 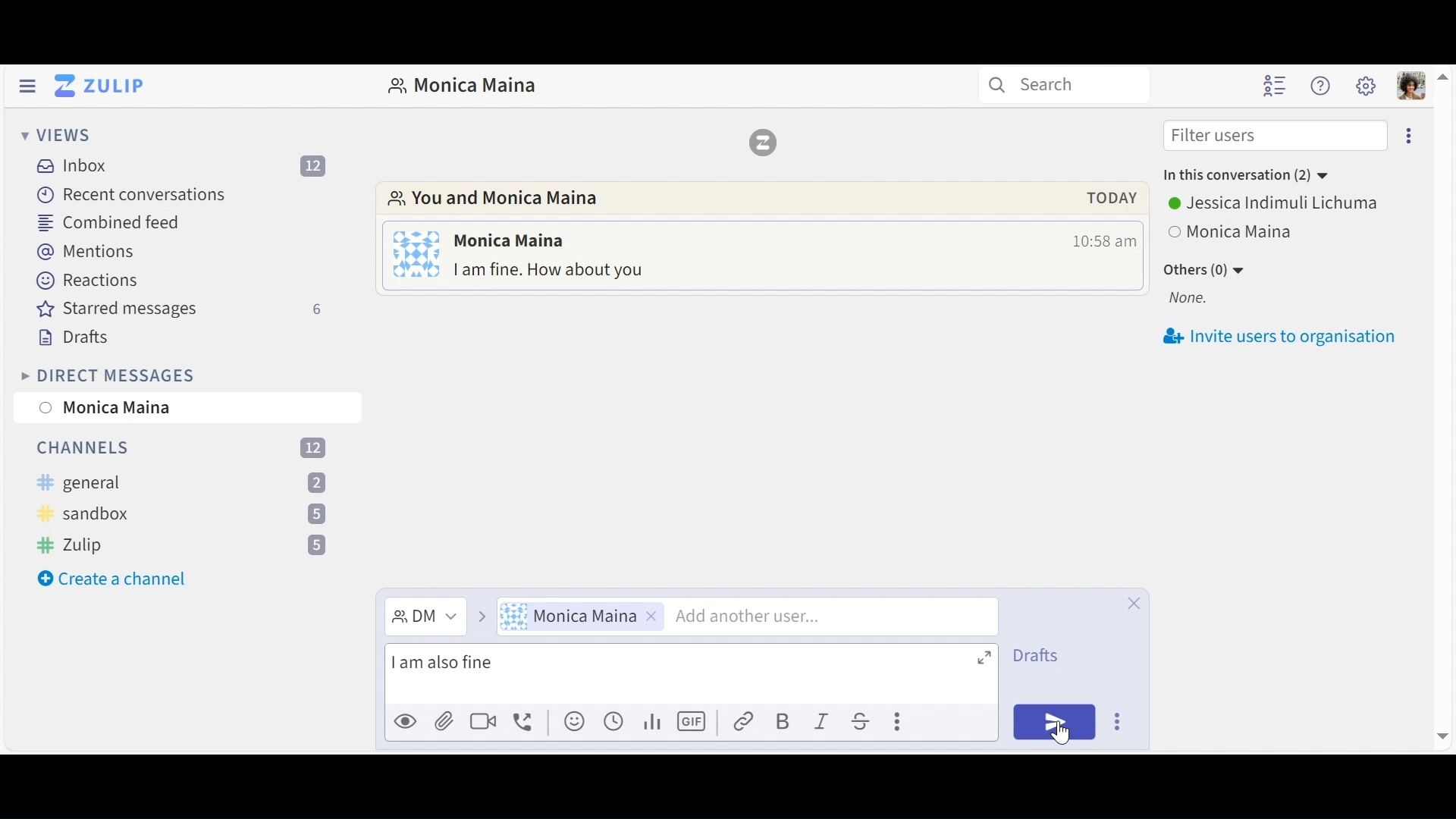 What do you see at coordinates (406, 718) in the screenshot?
I see `Preview` at bounding box center [406, 718].